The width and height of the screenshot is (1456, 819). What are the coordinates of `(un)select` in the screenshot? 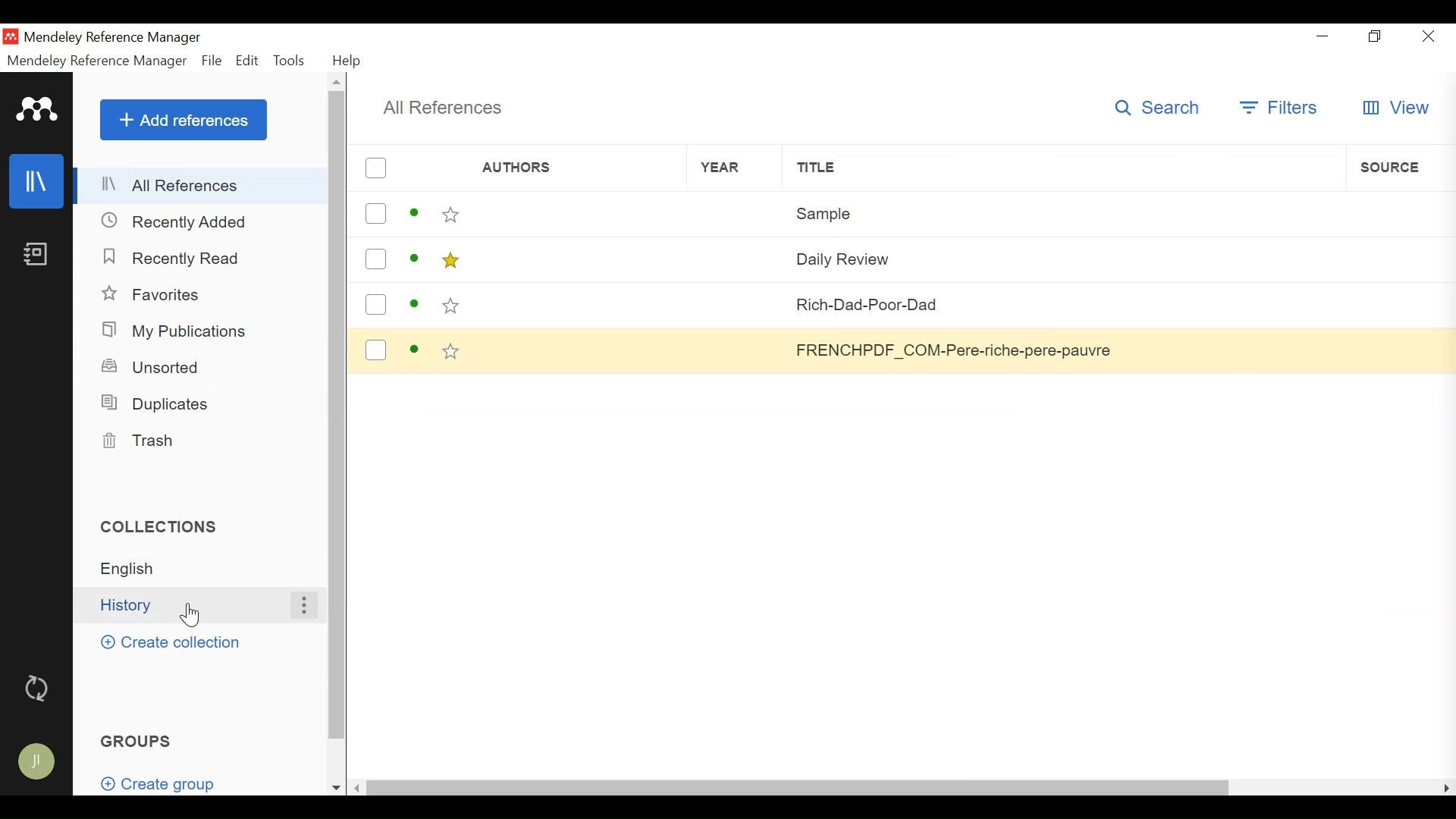 It's located at (375, 350).